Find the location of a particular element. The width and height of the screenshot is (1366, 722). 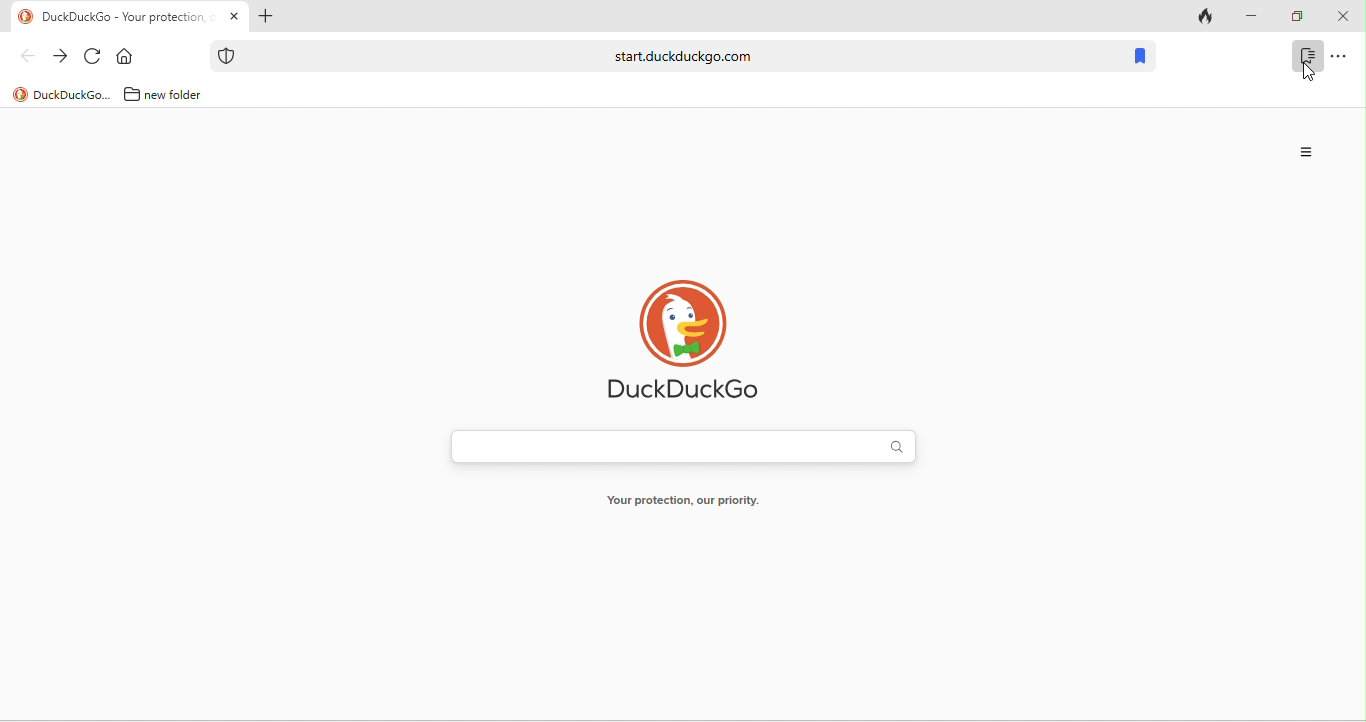

back is located at coordinates (27, 56).